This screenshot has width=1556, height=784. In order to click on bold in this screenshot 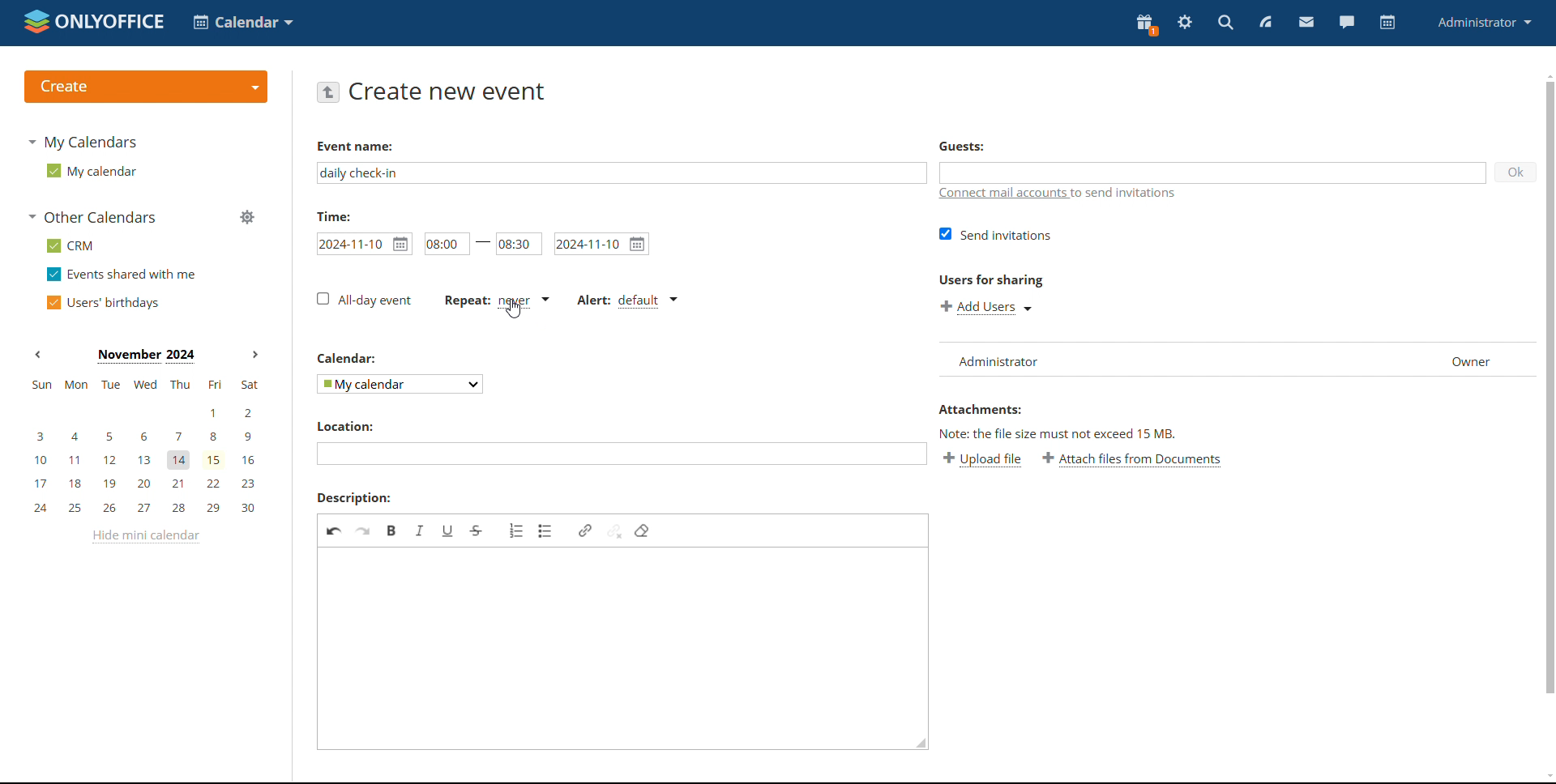, I will do `click(392, 530)`.